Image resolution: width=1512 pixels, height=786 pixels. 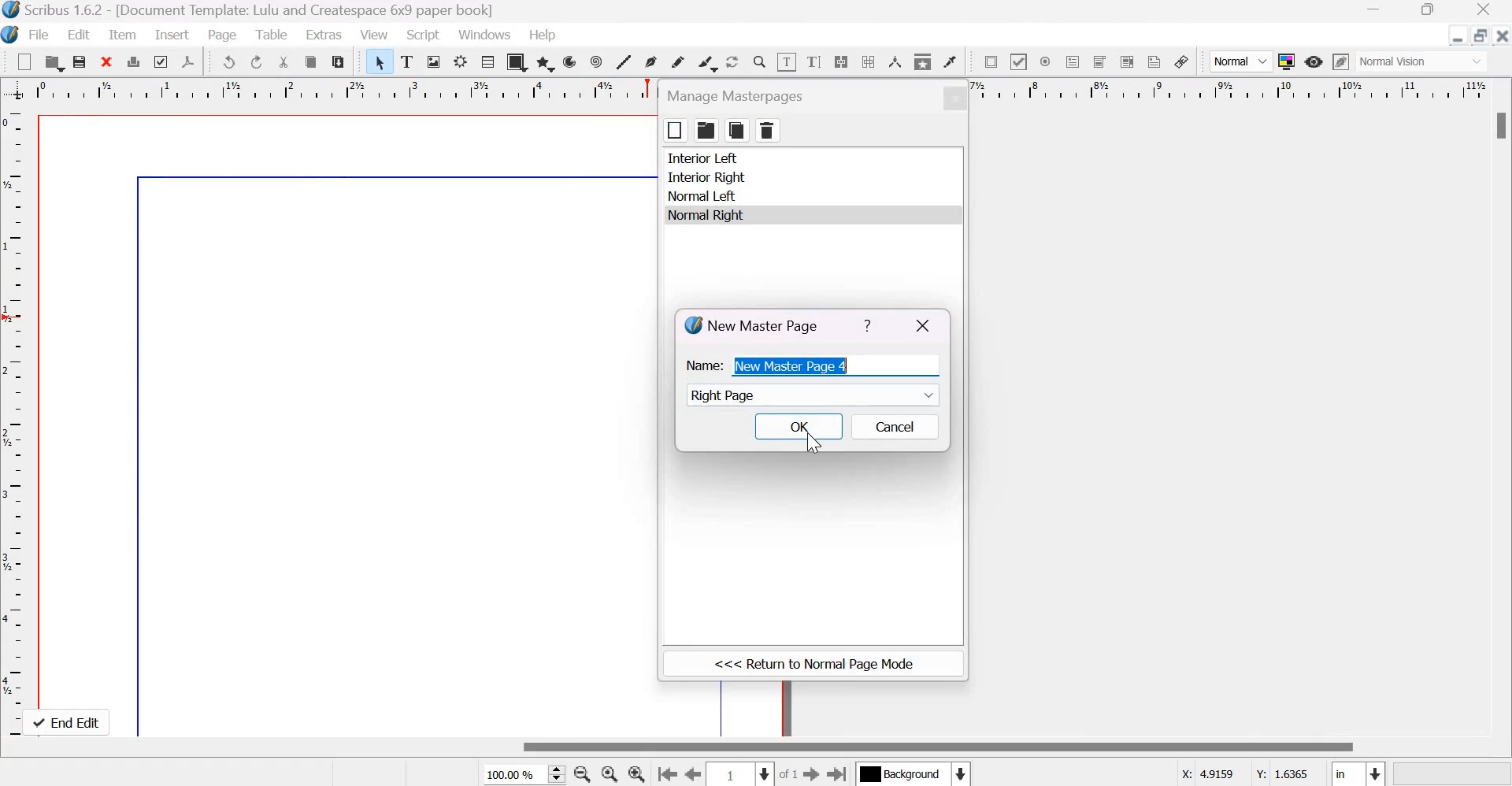 I want to click on PDF radio box, so click(x=1046, y=61).